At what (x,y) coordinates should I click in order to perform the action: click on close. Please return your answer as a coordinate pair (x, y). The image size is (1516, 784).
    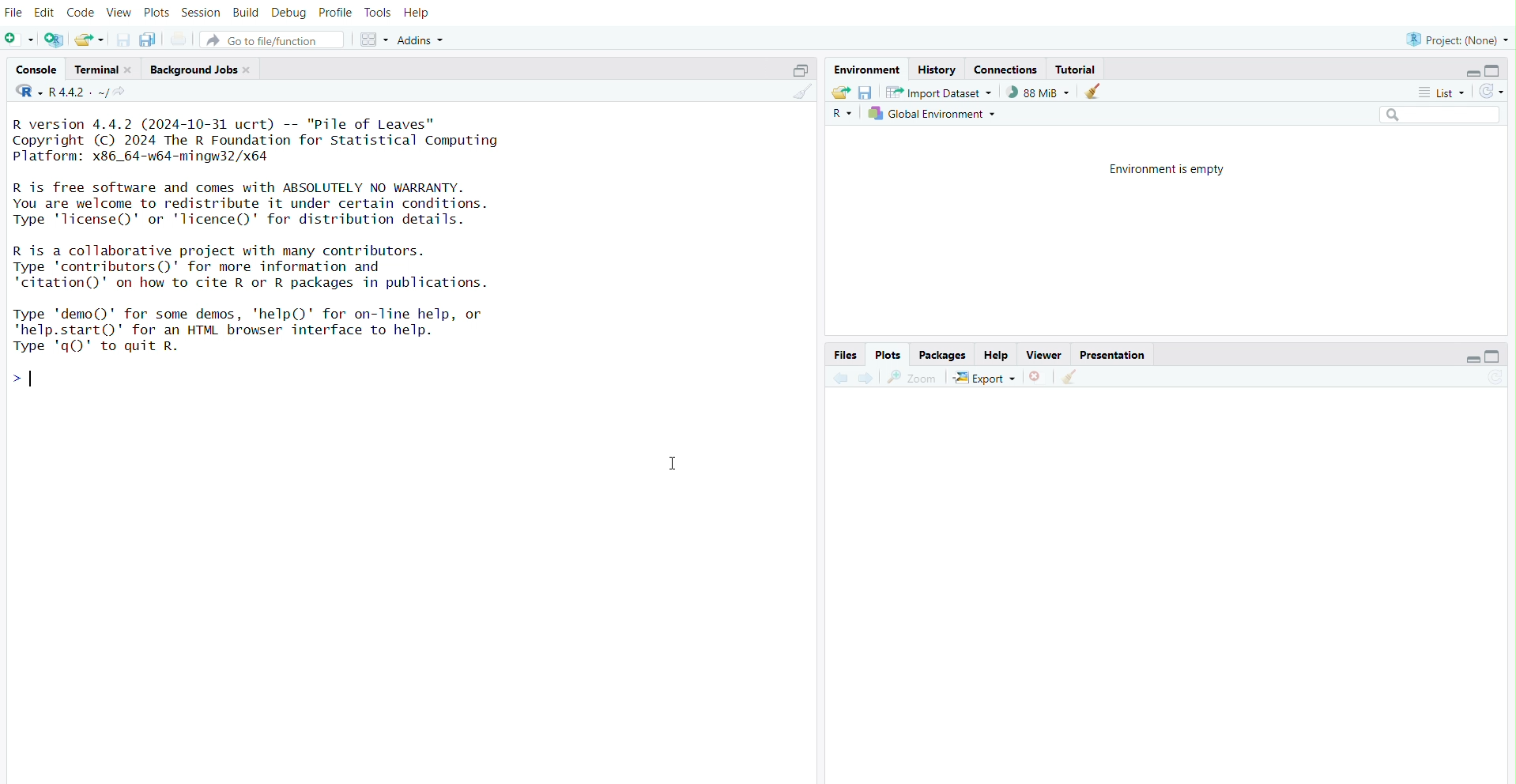
    Looking at the image, I should click on (251, 72).